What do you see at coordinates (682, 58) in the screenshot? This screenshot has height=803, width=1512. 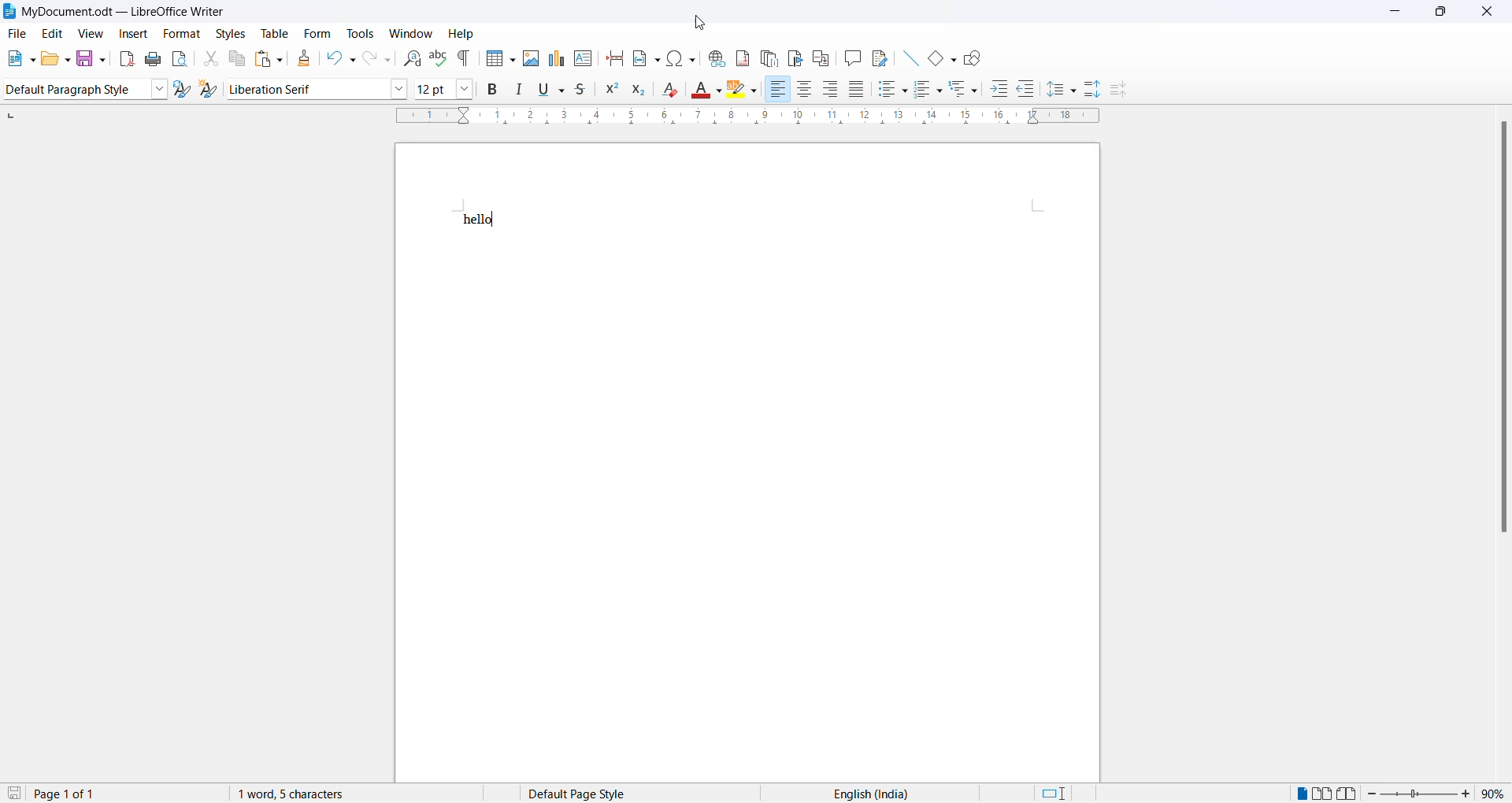 I see `Insert a special character` at bounding box center [682, 58].